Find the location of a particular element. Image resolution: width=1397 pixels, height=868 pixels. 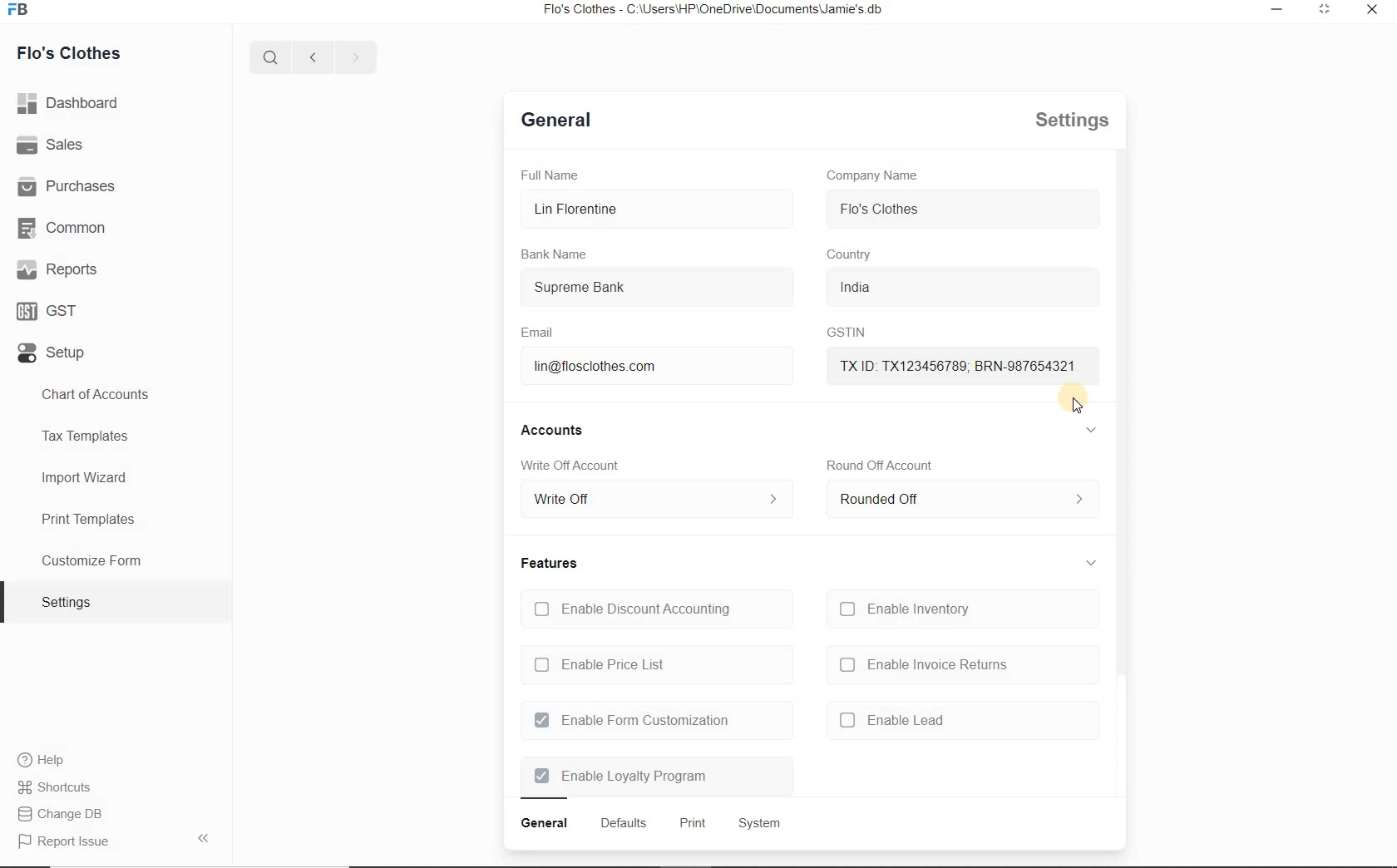

india is located at coordinates (877, 287).